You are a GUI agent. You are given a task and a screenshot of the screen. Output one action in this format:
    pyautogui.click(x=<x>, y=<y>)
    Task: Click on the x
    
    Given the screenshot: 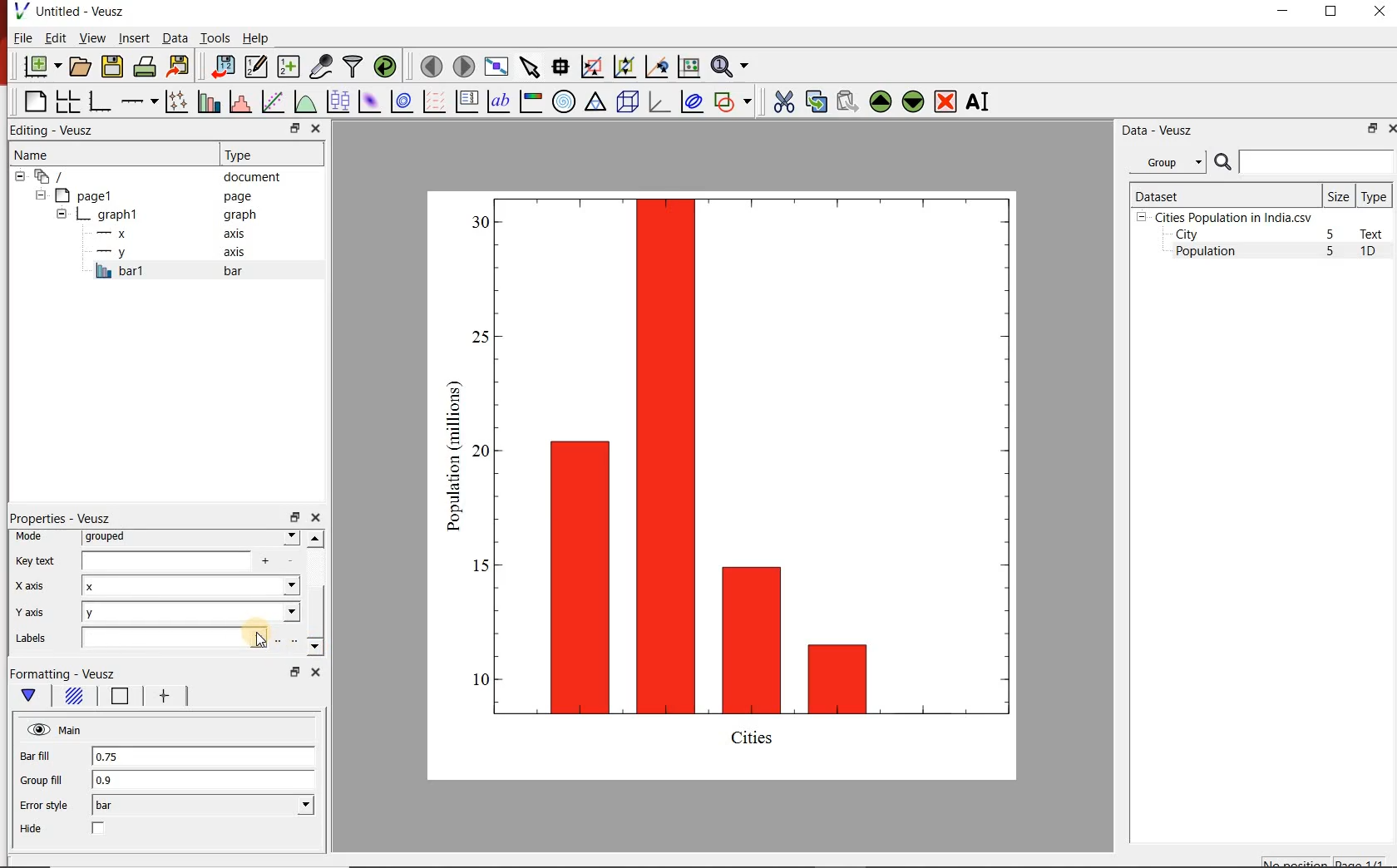 What is the action you would take?
    pyautogui.click(x=190, y=588)
    